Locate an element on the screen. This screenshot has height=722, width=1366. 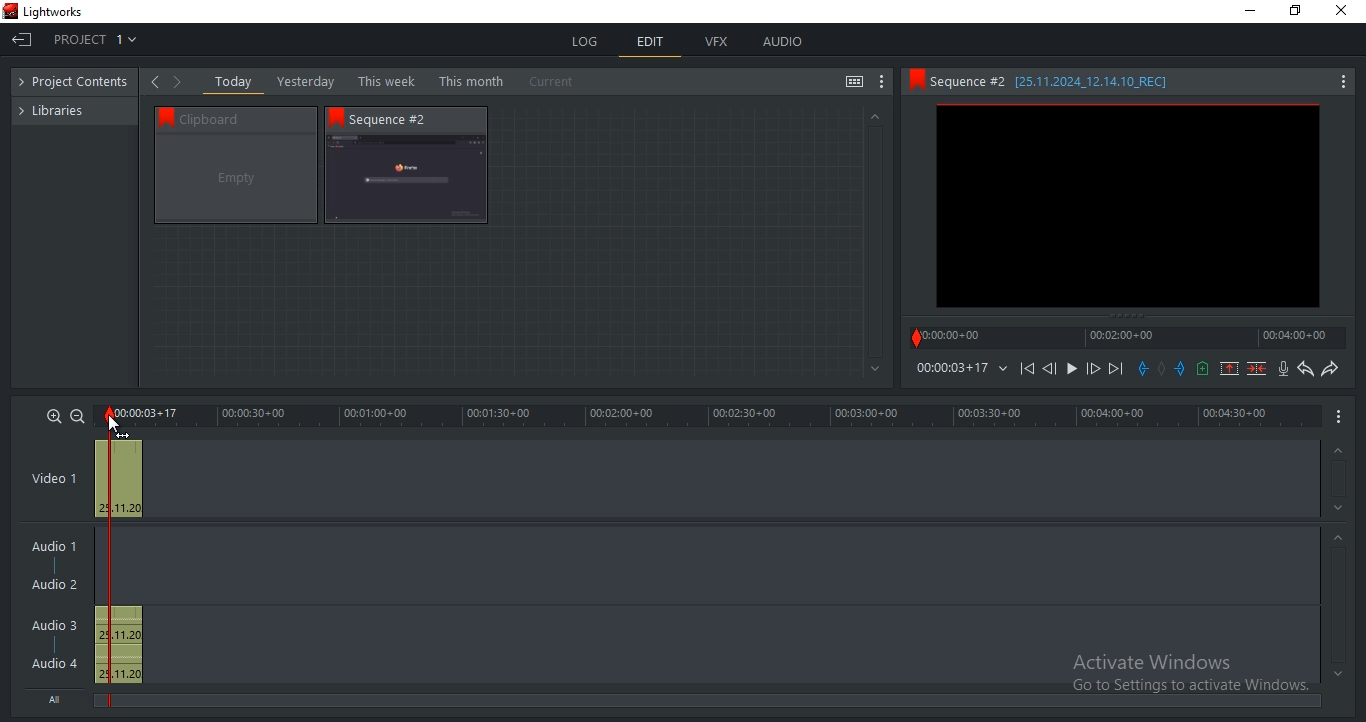
mark in is located at coordinates (1143, 368).